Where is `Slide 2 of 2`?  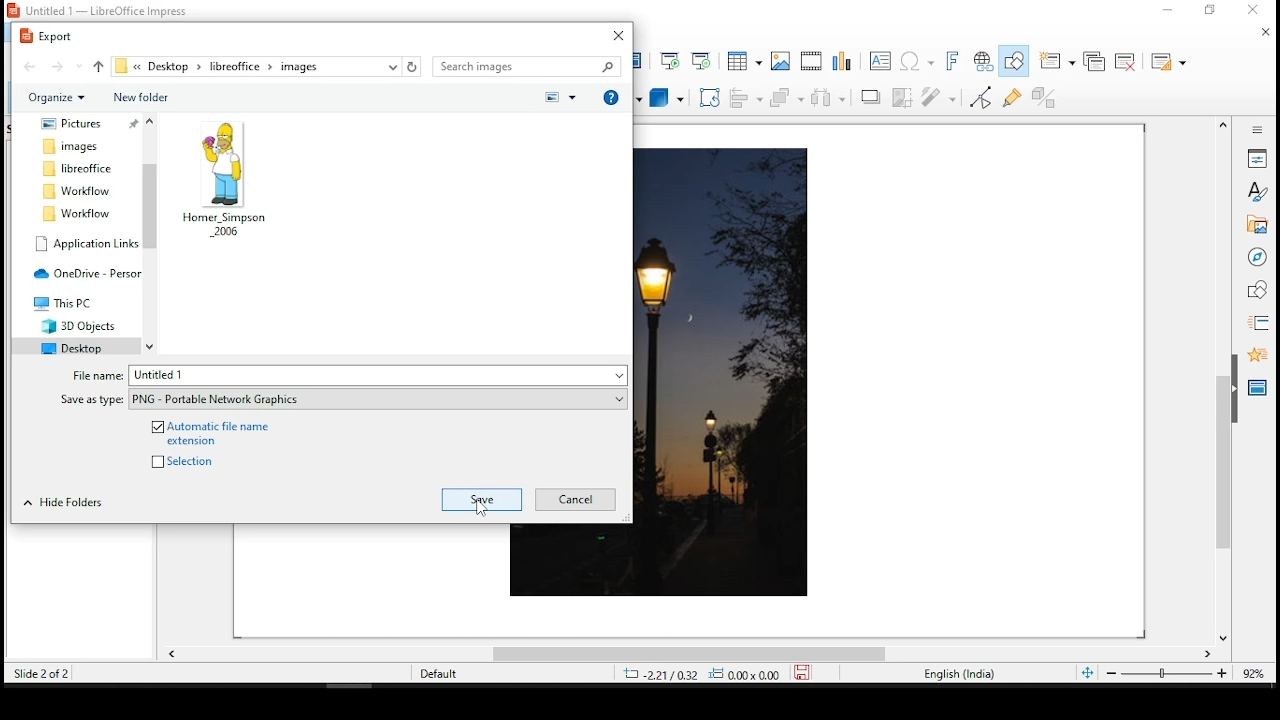 Slide 2 of 2 is located at coordinates (38, 673).